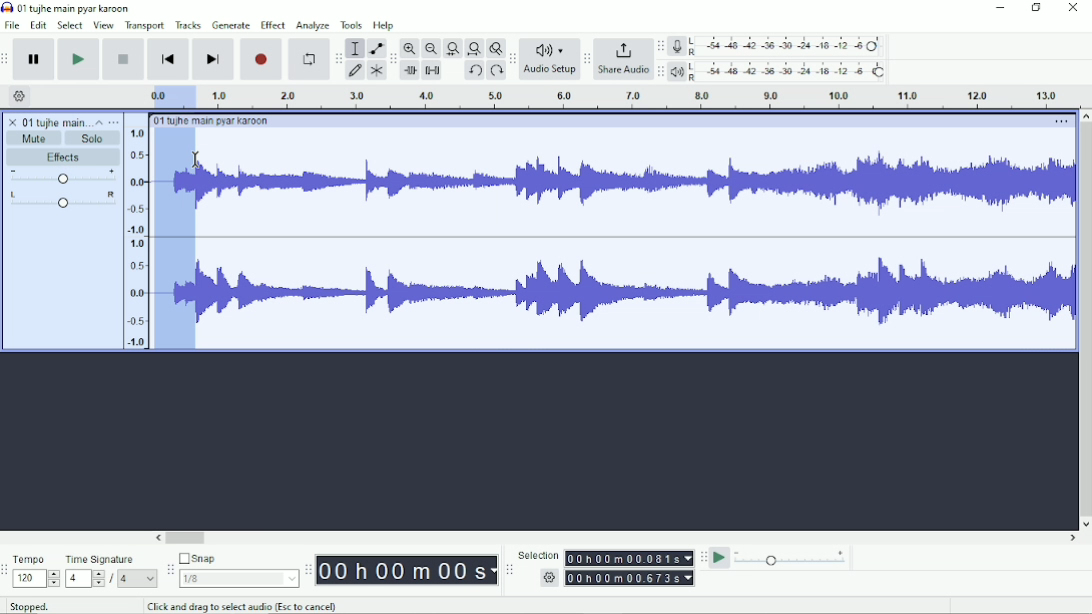  Describe the element at coordinates (145, 26) in the screenshot. I see `Transport` at that location.